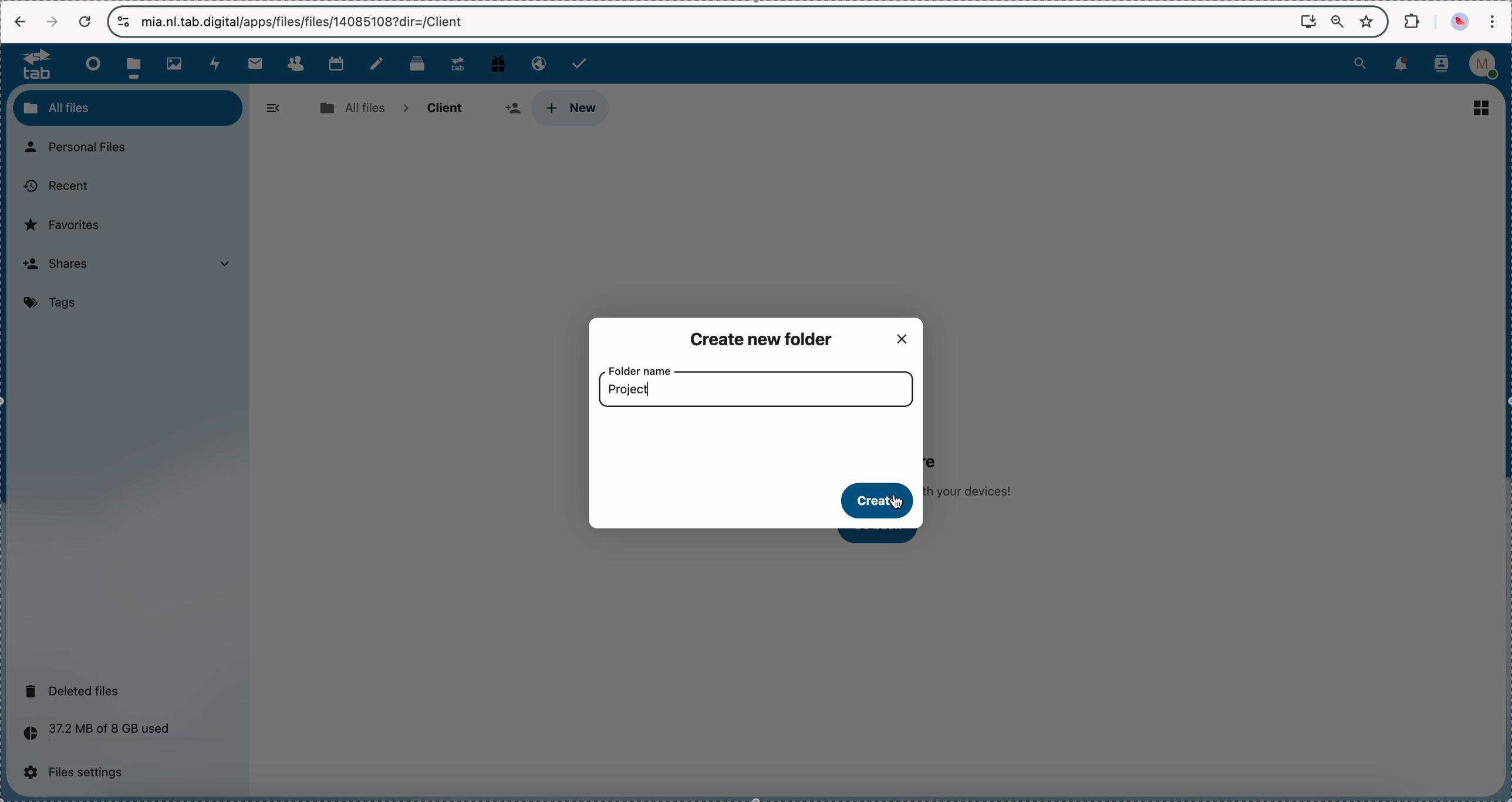  What do you see at coordinates (1491, 21) in the screenshot?
I see `customize and control Google Chrome` at bounding box center [1491, 21].